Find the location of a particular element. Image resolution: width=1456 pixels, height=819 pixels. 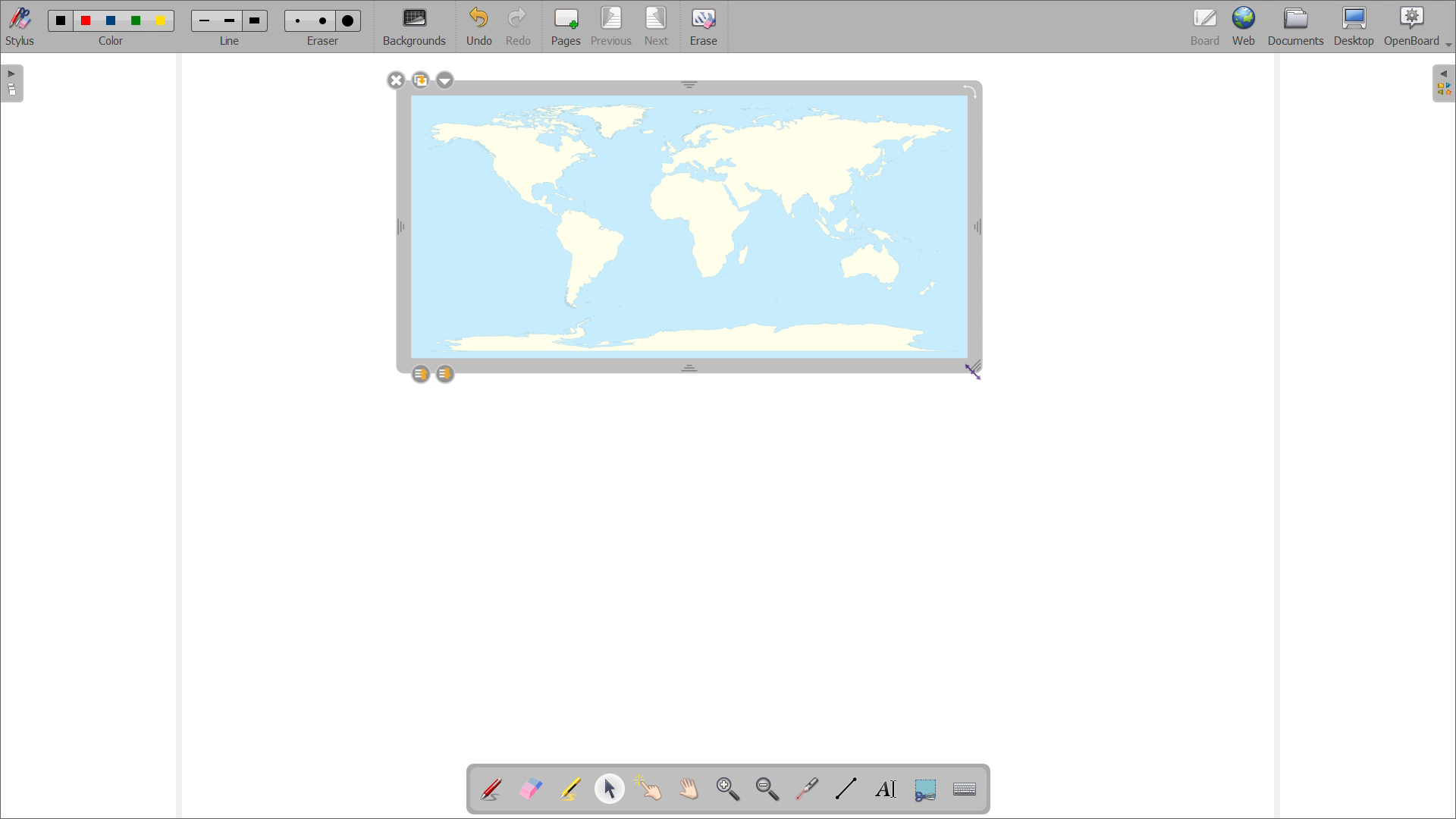

virtual keyboard is located at coordinates (965, 789).